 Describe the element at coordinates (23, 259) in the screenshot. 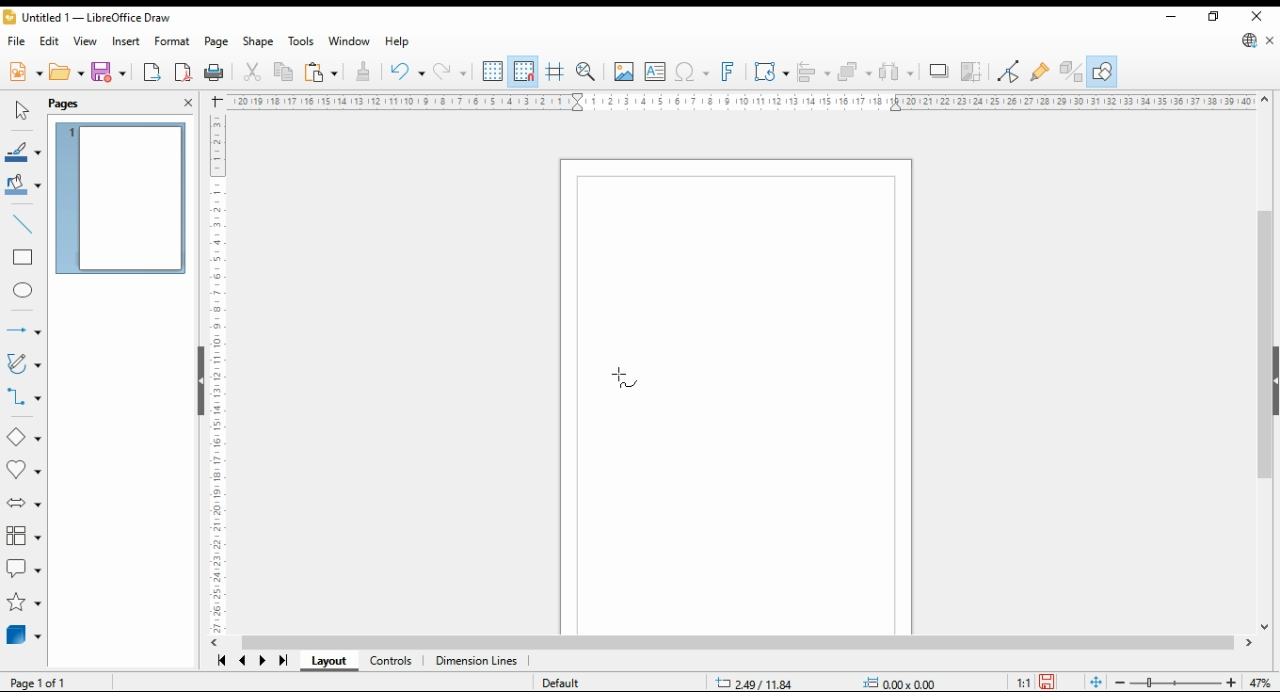

I see `rectangle` at that location.